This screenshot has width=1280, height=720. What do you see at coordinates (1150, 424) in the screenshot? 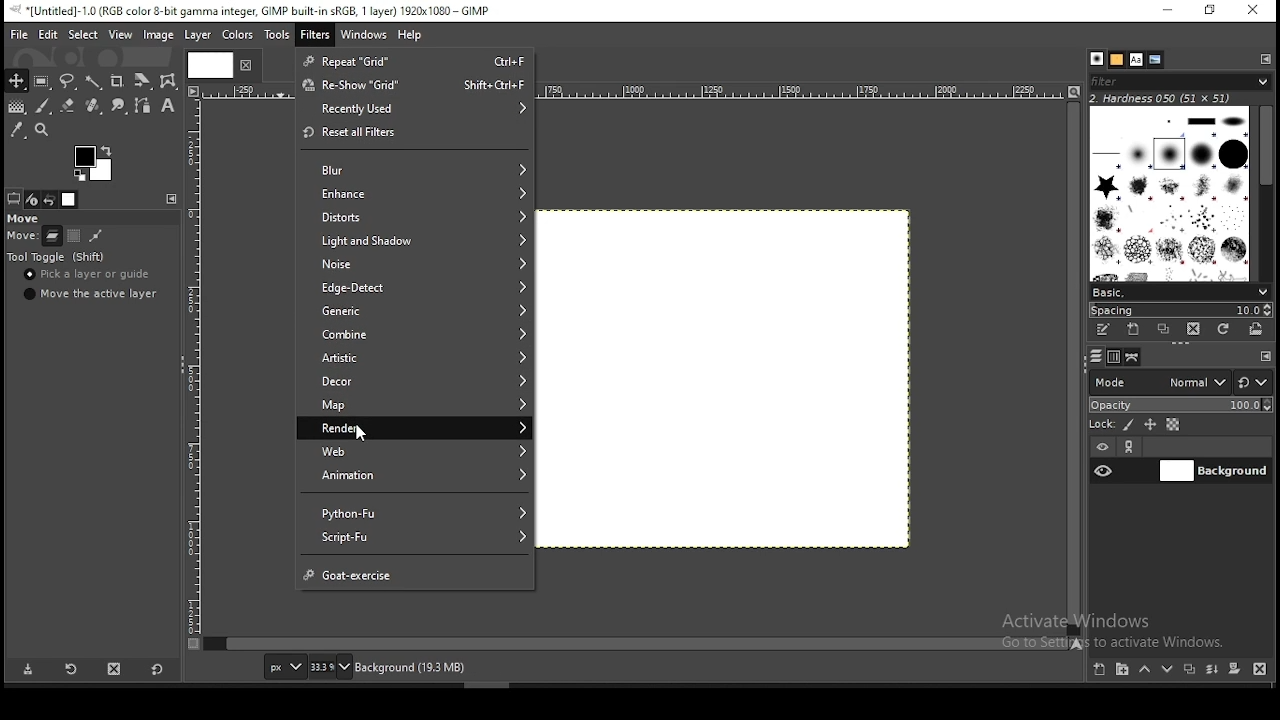
I see `lock size and position` at bounding box center [1150, 424].